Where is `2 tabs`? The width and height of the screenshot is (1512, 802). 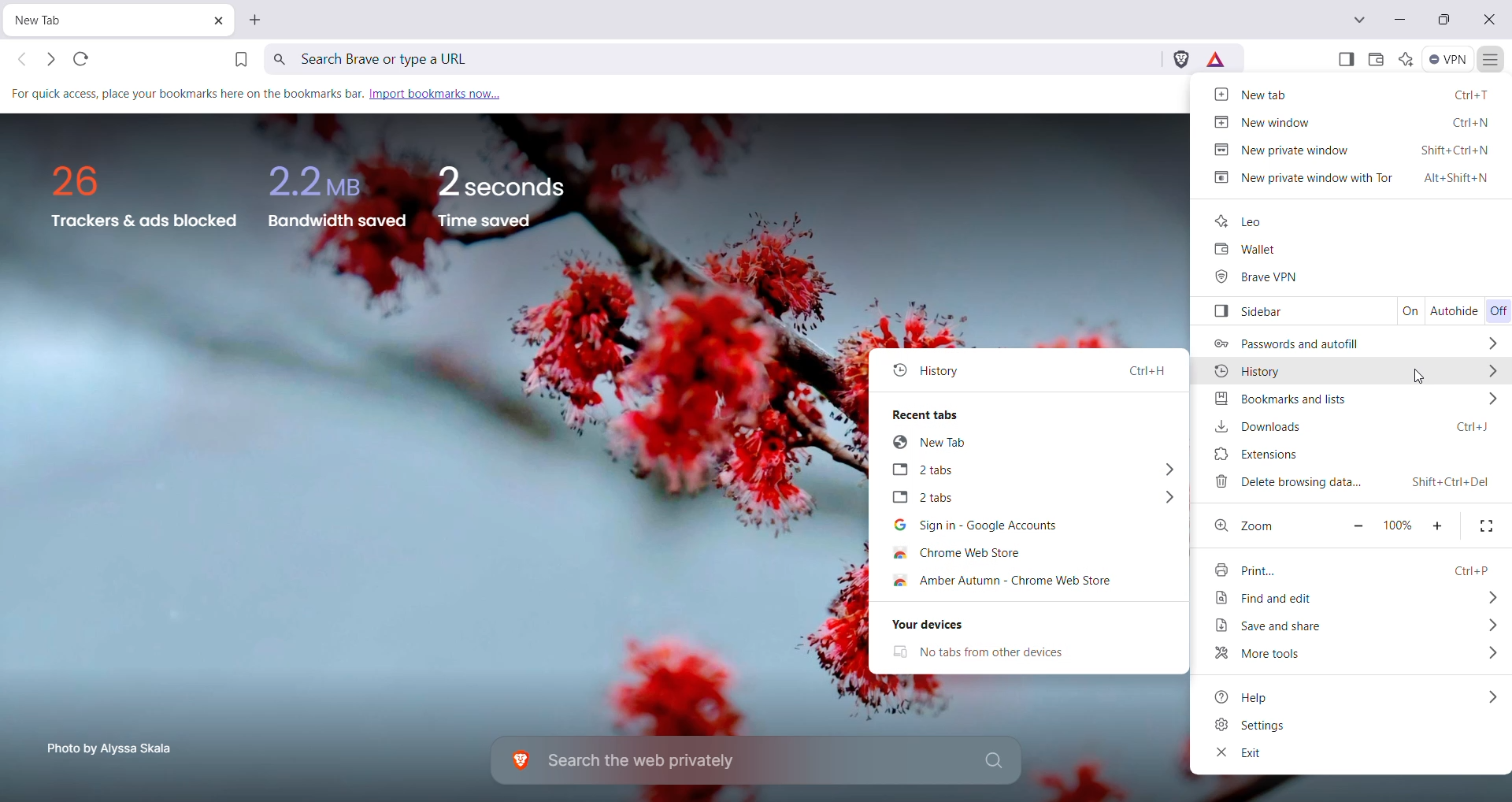
2 tabs is located at coordinates (1026, 499).